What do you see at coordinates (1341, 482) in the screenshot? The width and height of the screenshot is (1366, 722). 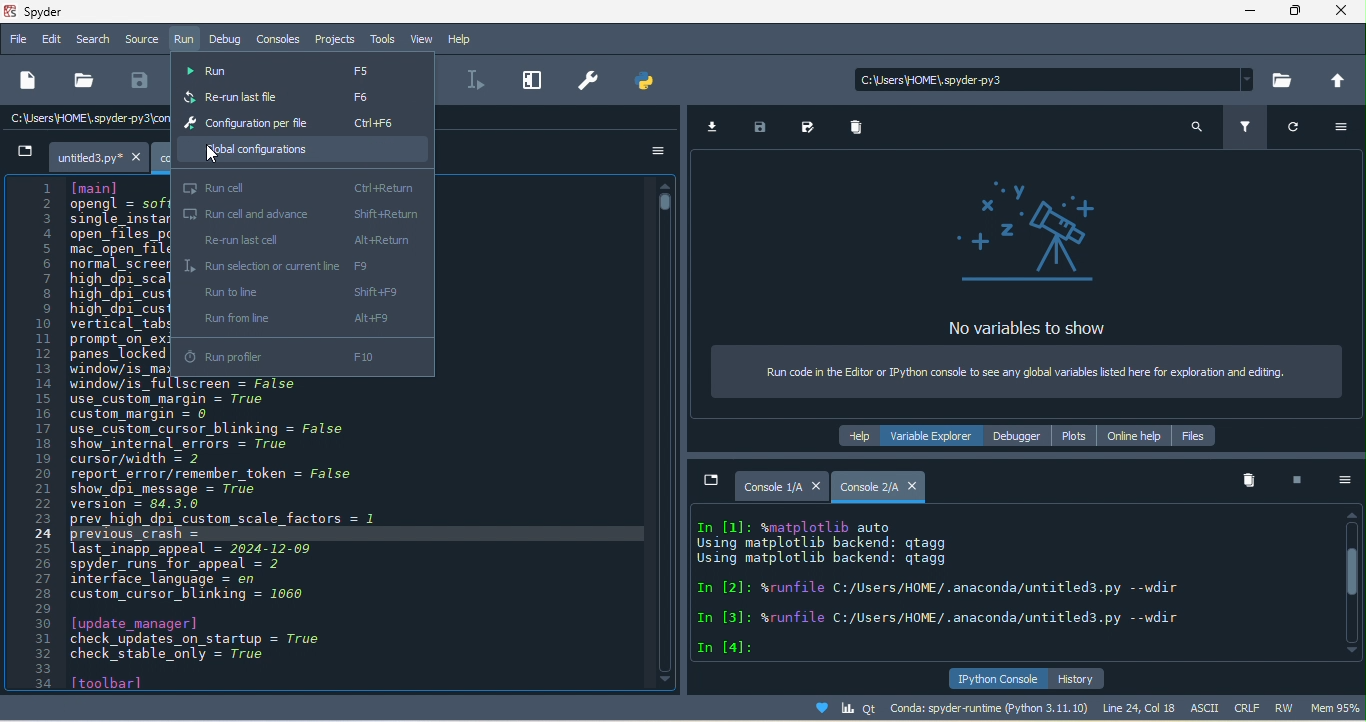 I see `option` at bounding box center [1341, 482].